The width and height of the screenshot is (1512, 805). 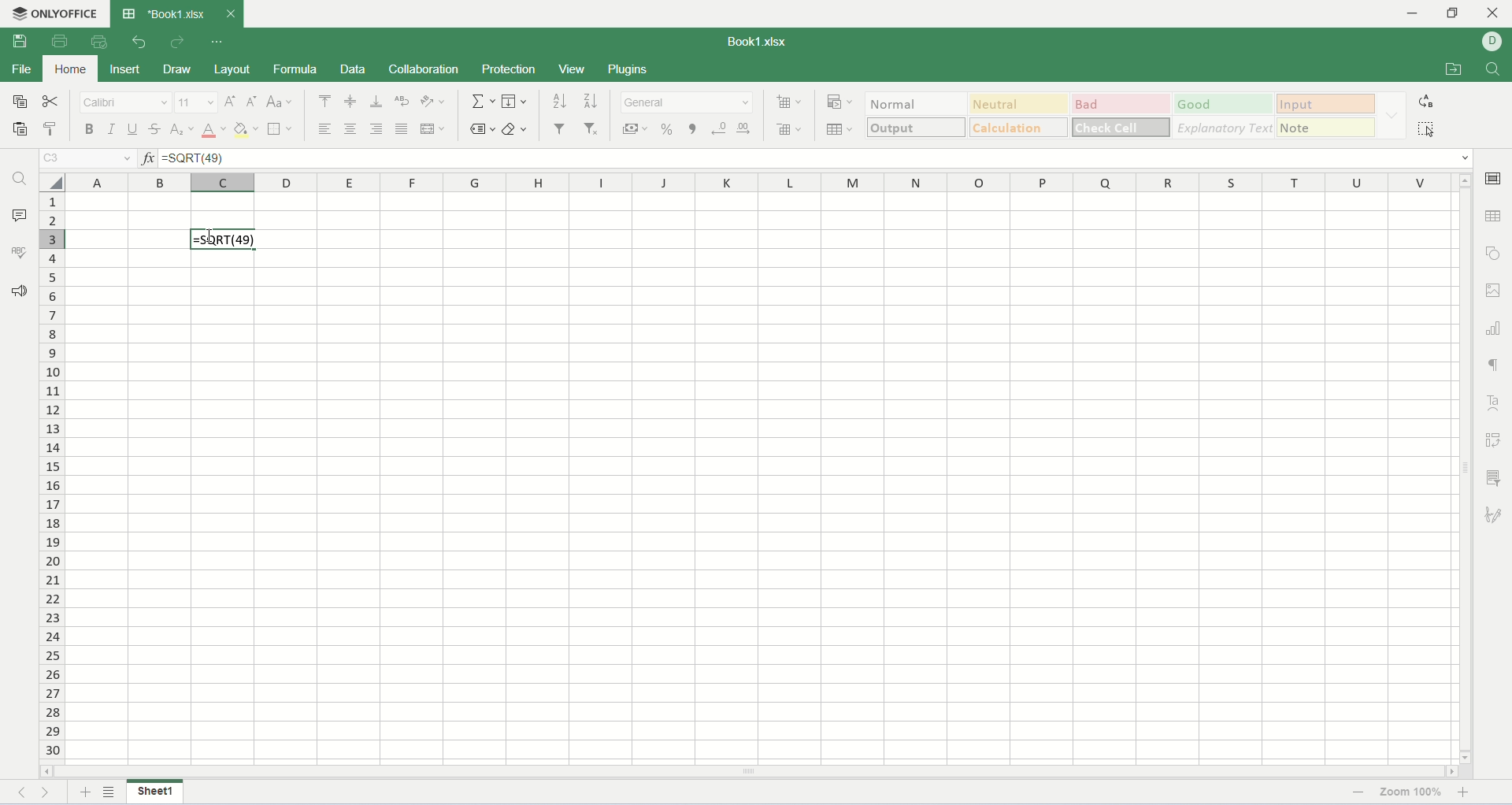 What do you see at coordinates (27, 792) in the screenshot?
I see `previous` at bounding box center [27, 792].